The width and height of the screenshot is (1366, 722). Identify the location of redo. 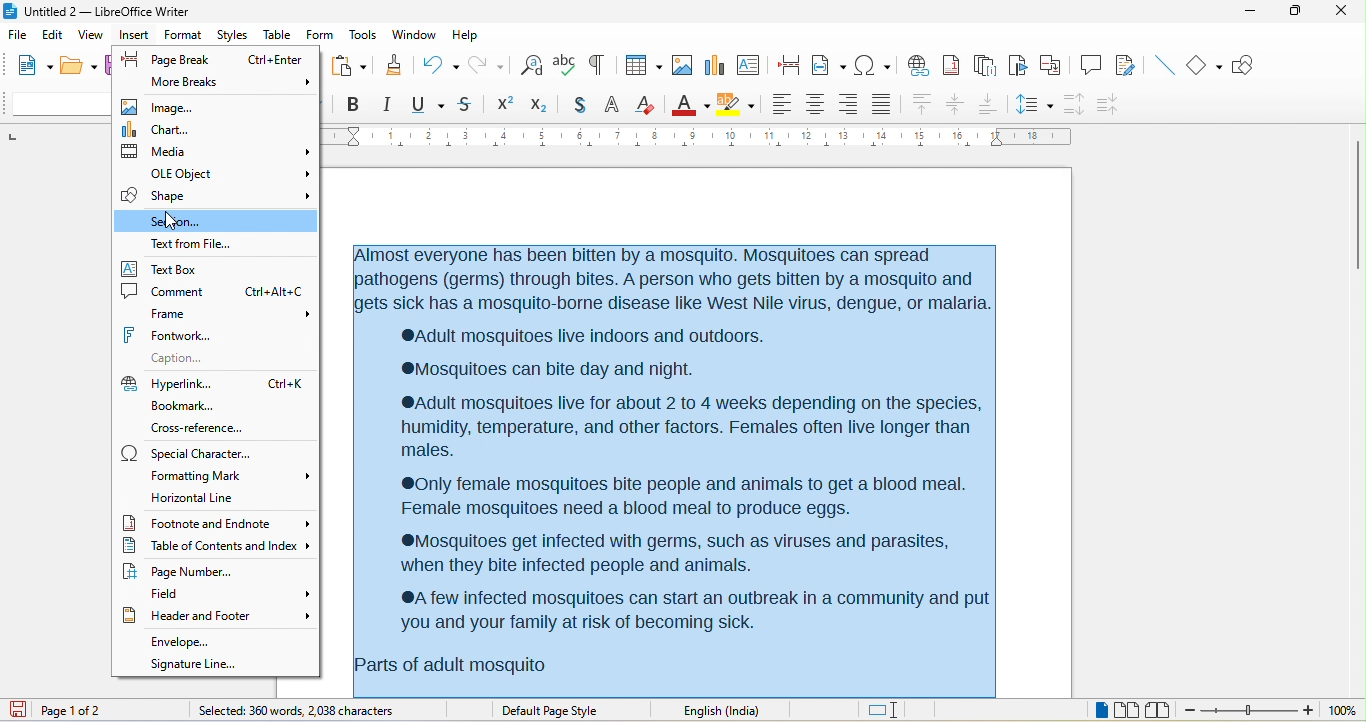
(485, 64).